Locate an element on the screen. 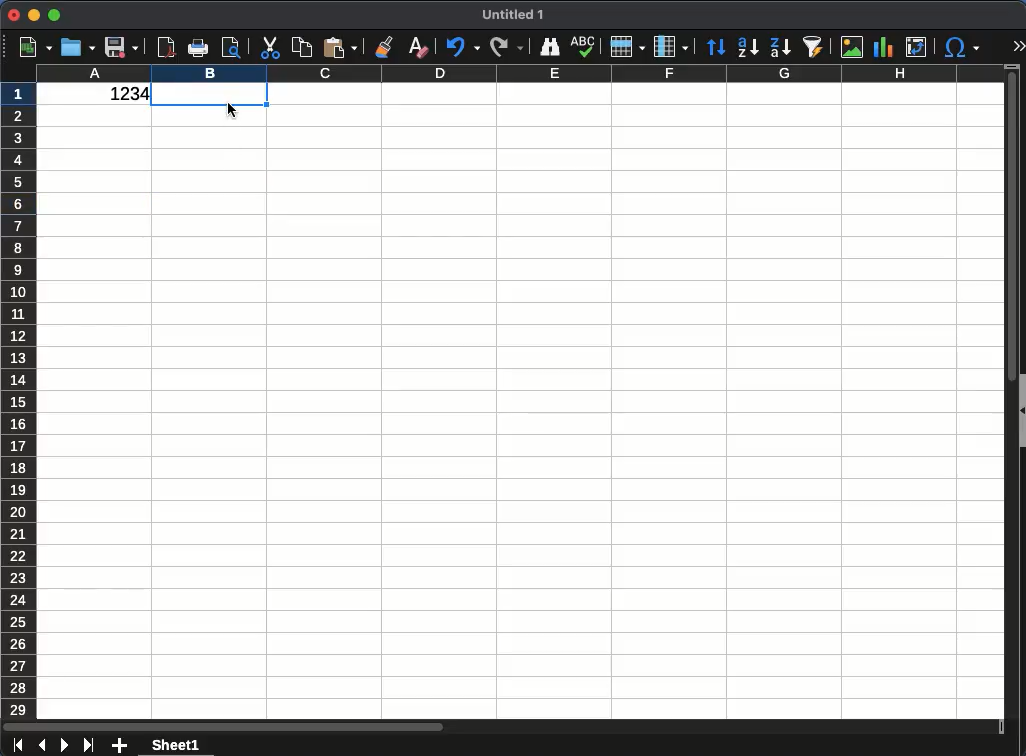 This screenshot has width=1026, height=756. chart is located at coordinates (883, 48).